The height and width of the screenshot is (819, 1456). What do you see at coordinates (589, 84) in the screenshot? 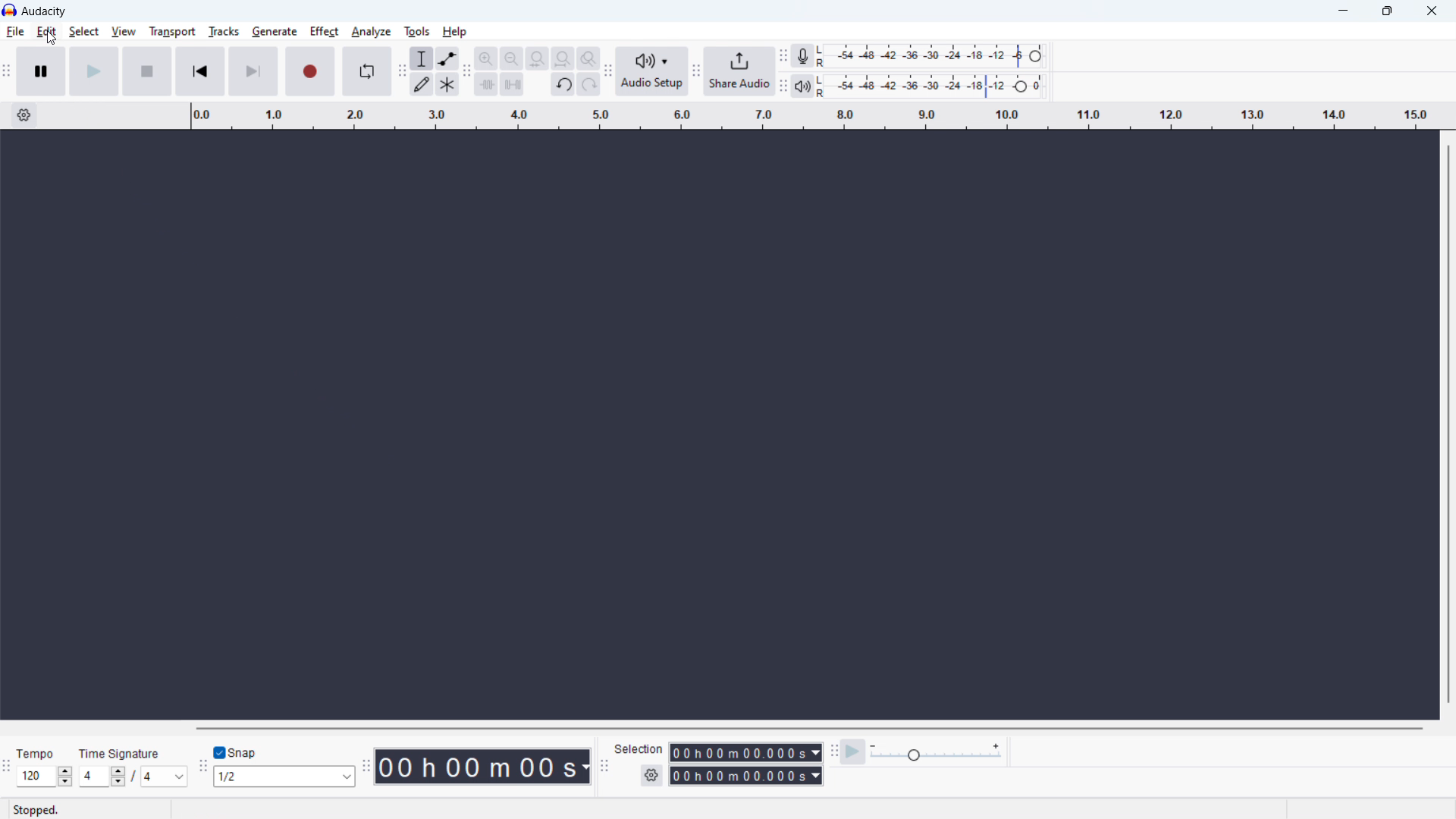
I see `redo` at bounding box center [589, 84].